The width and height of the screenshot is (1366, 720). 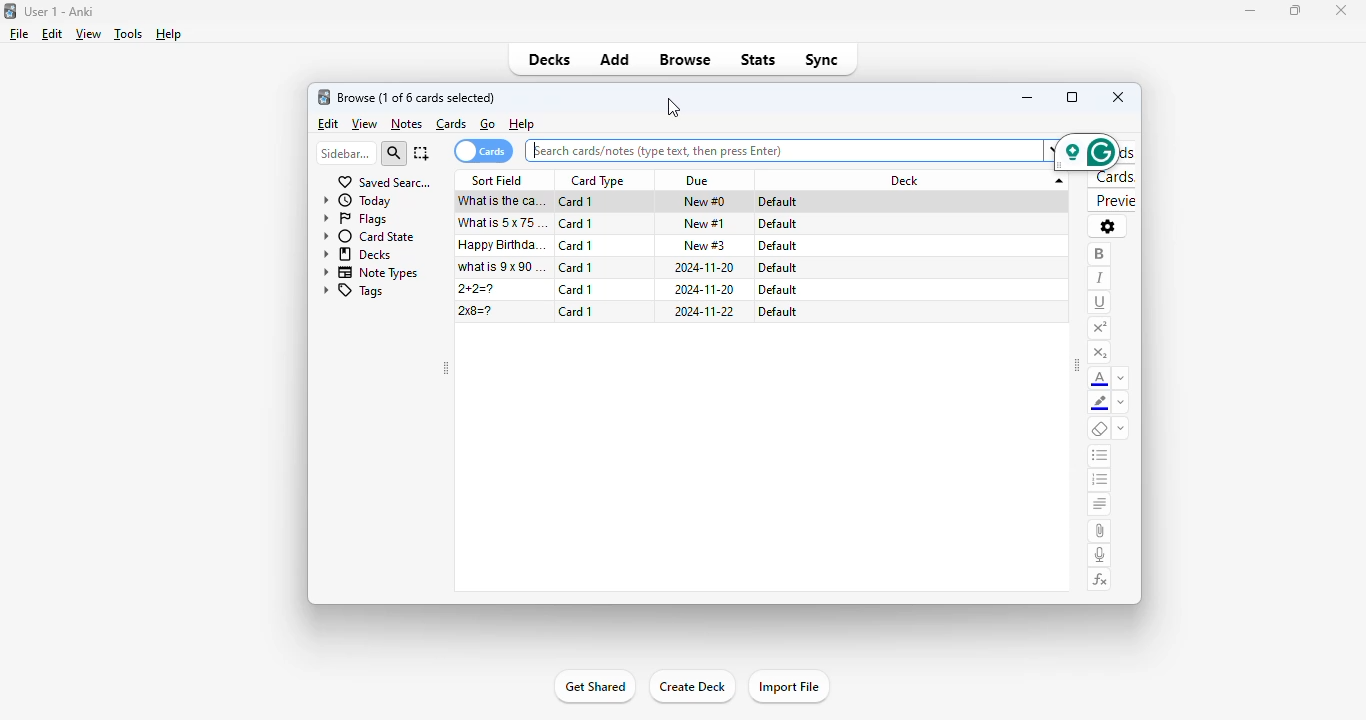 I want to click on search, so click(x=394, y=153).